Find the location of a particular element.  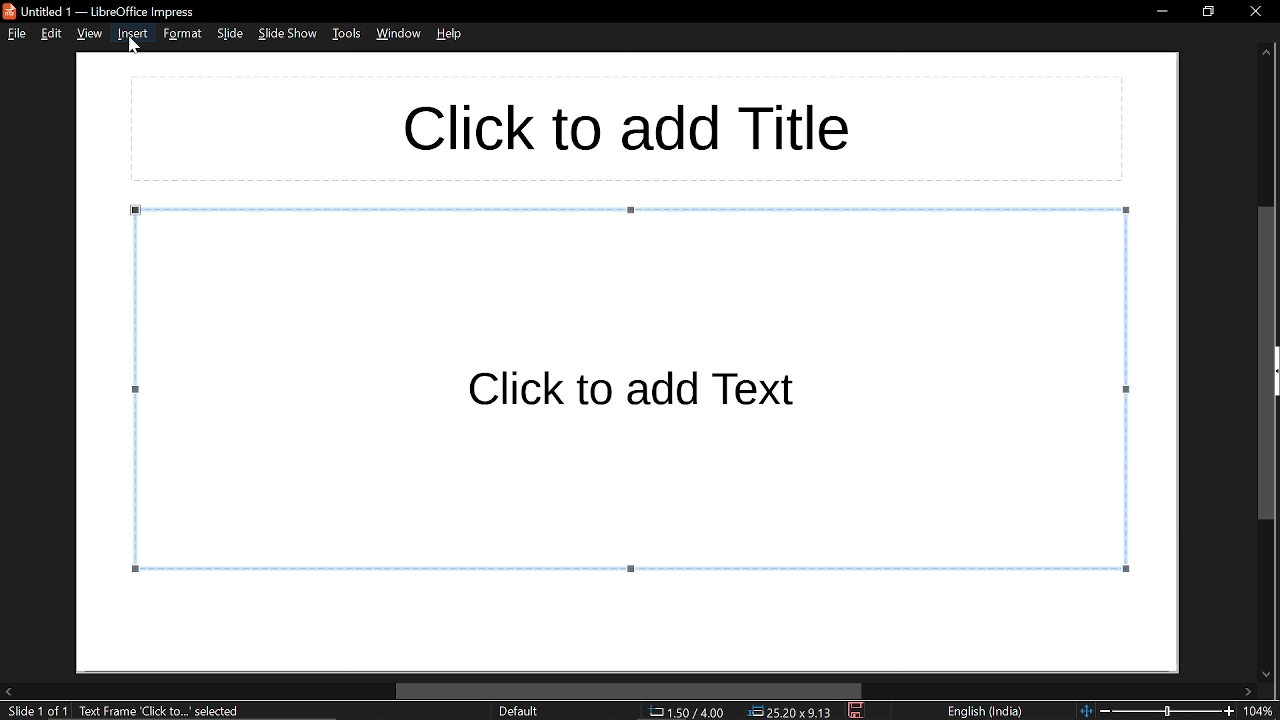

text frame "Click to.." selected is located at coordinates (162, 712).